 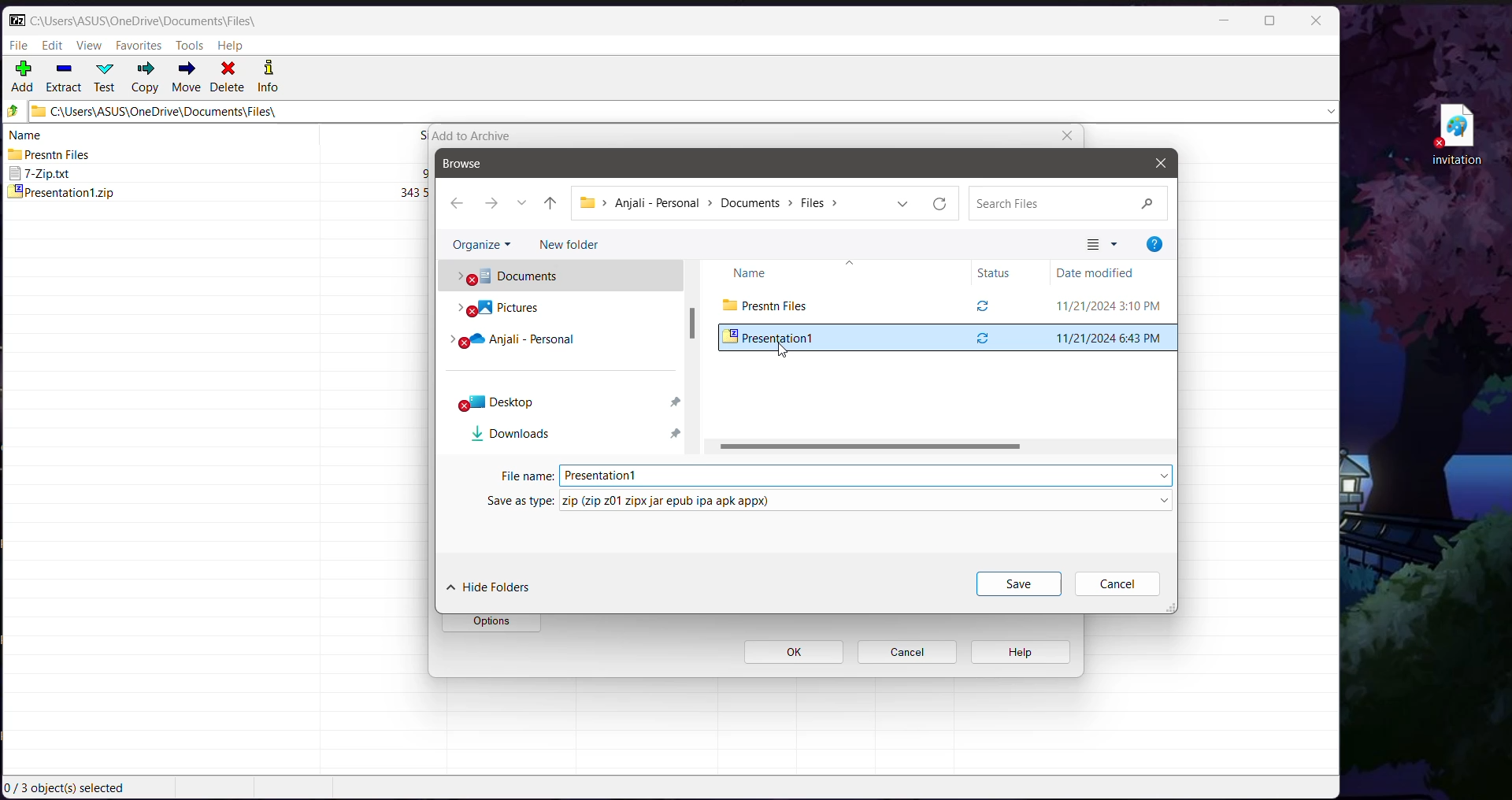 I want to click on Delete, so click(x=229, y=78).